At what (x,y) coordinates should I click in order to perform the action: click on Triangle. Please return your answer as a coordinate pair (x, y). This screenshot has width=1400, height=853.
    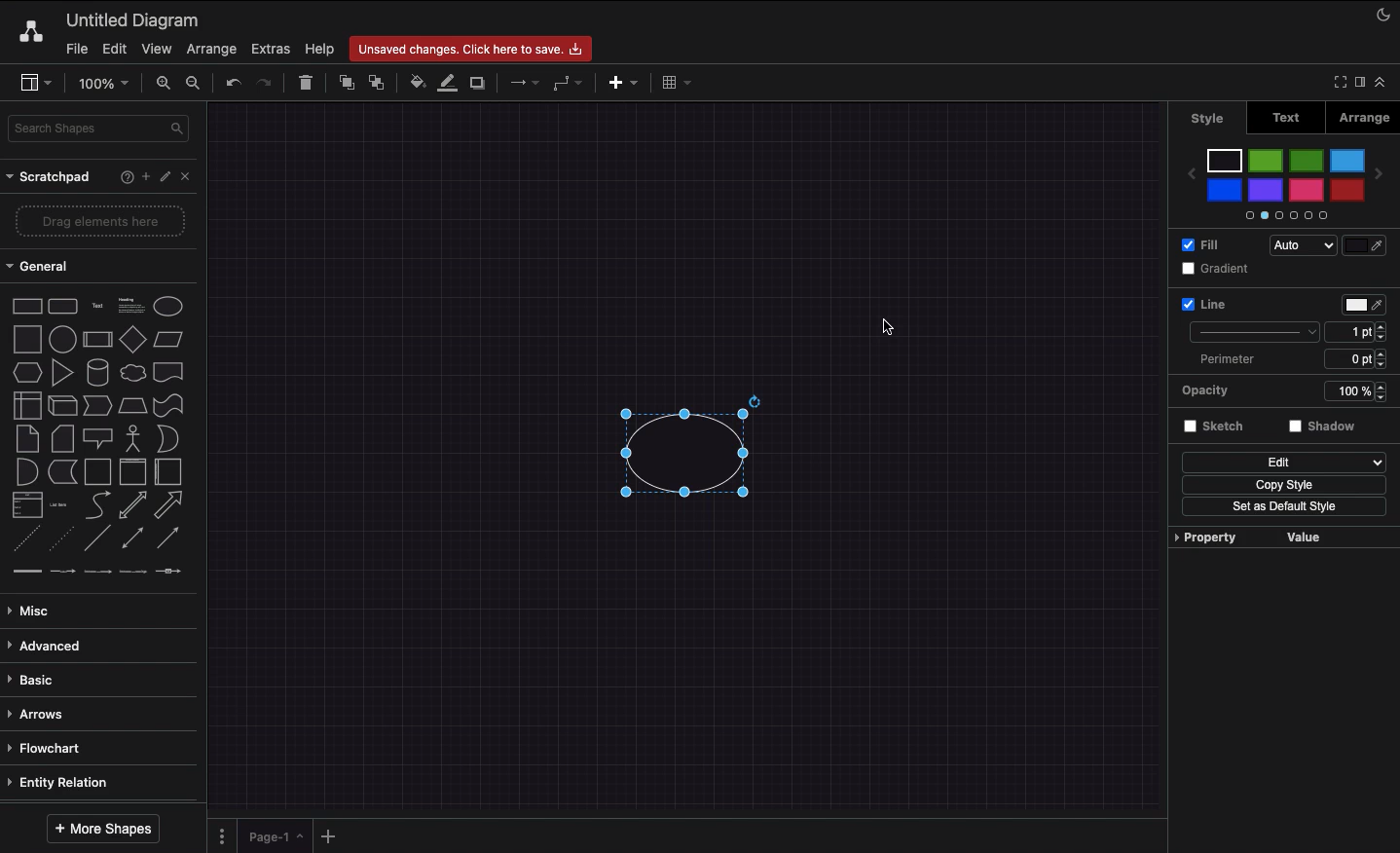
    Looking at the image, I should click on (62, 372).